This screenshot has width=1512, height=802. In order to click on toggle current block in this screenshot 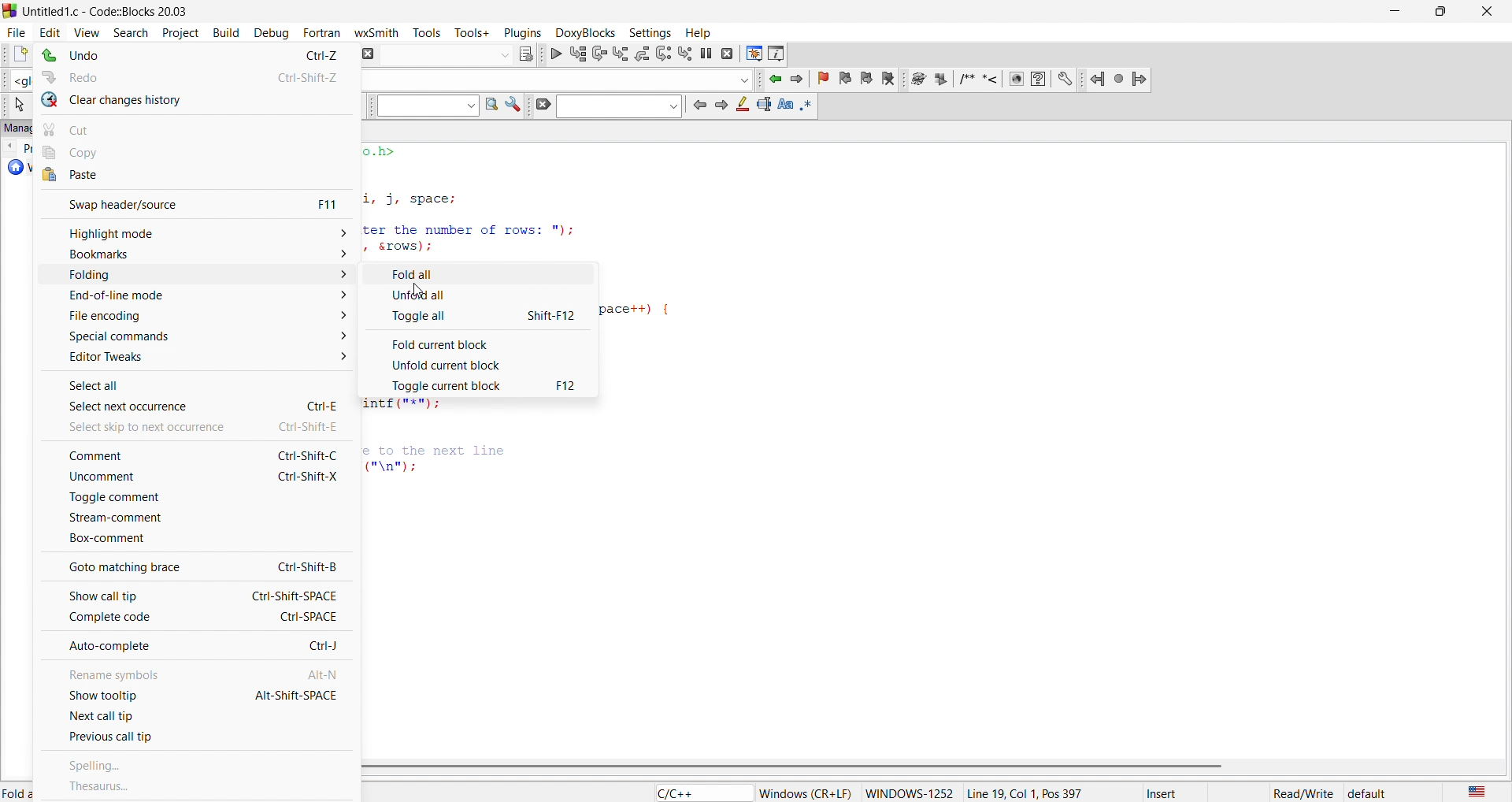, I will do `click(484, 386)`.